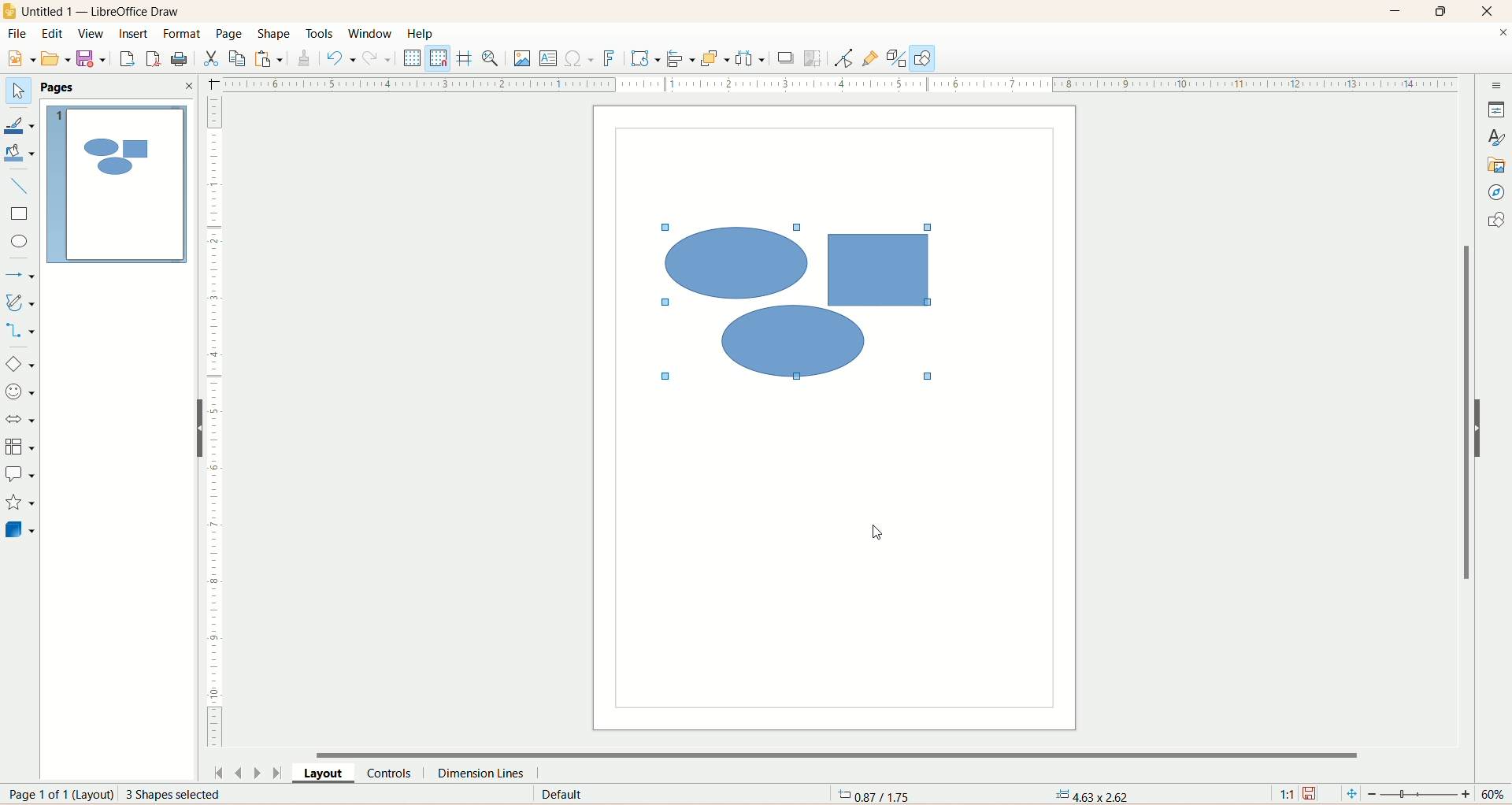 The image size is (1512, 805). Describe the element at coordinates (183, 35) in the screenshot. I see `format` at that location.